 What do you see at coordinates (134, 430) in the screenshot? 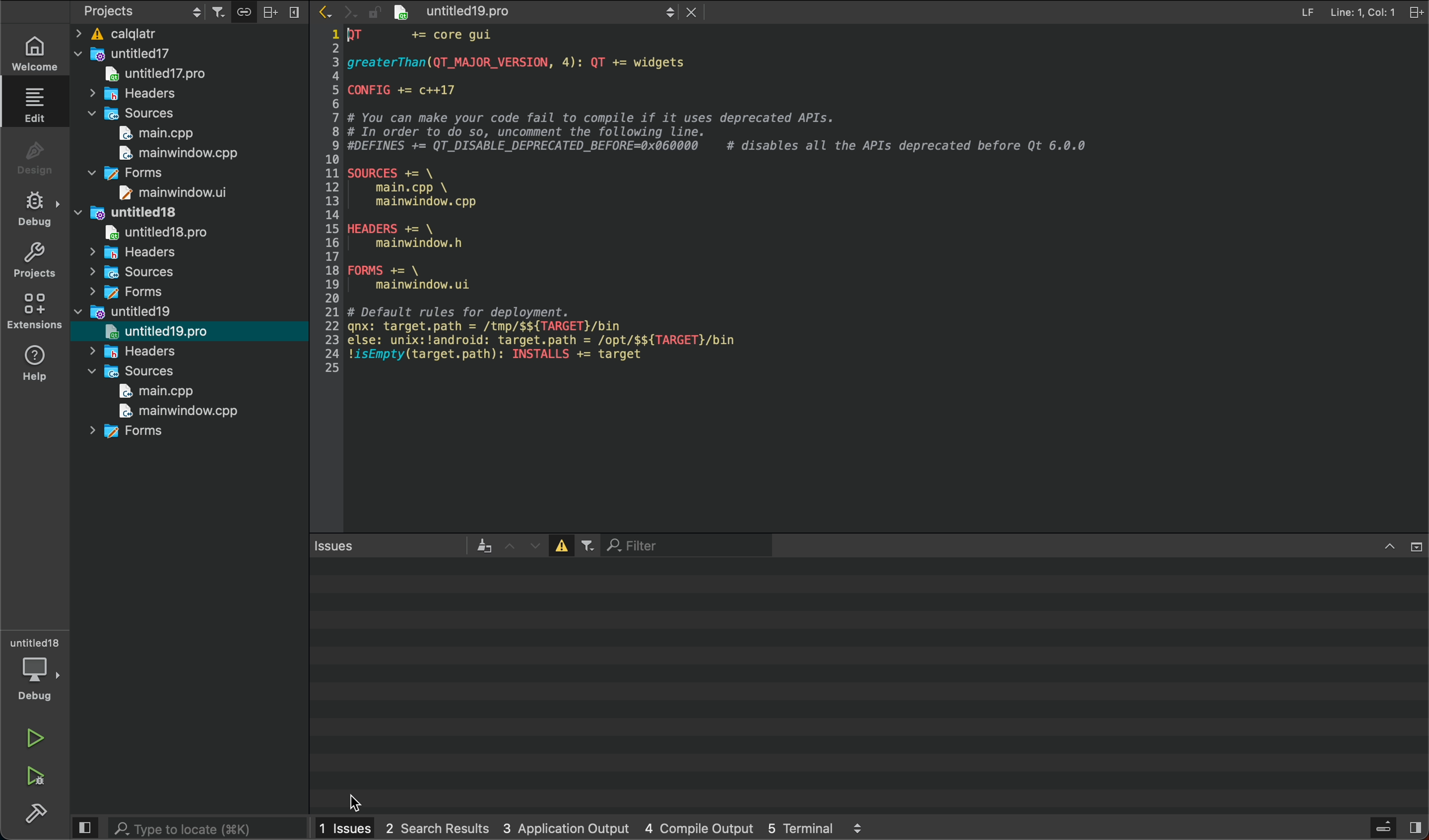
I see `forms` at bounding box center [134, 430].